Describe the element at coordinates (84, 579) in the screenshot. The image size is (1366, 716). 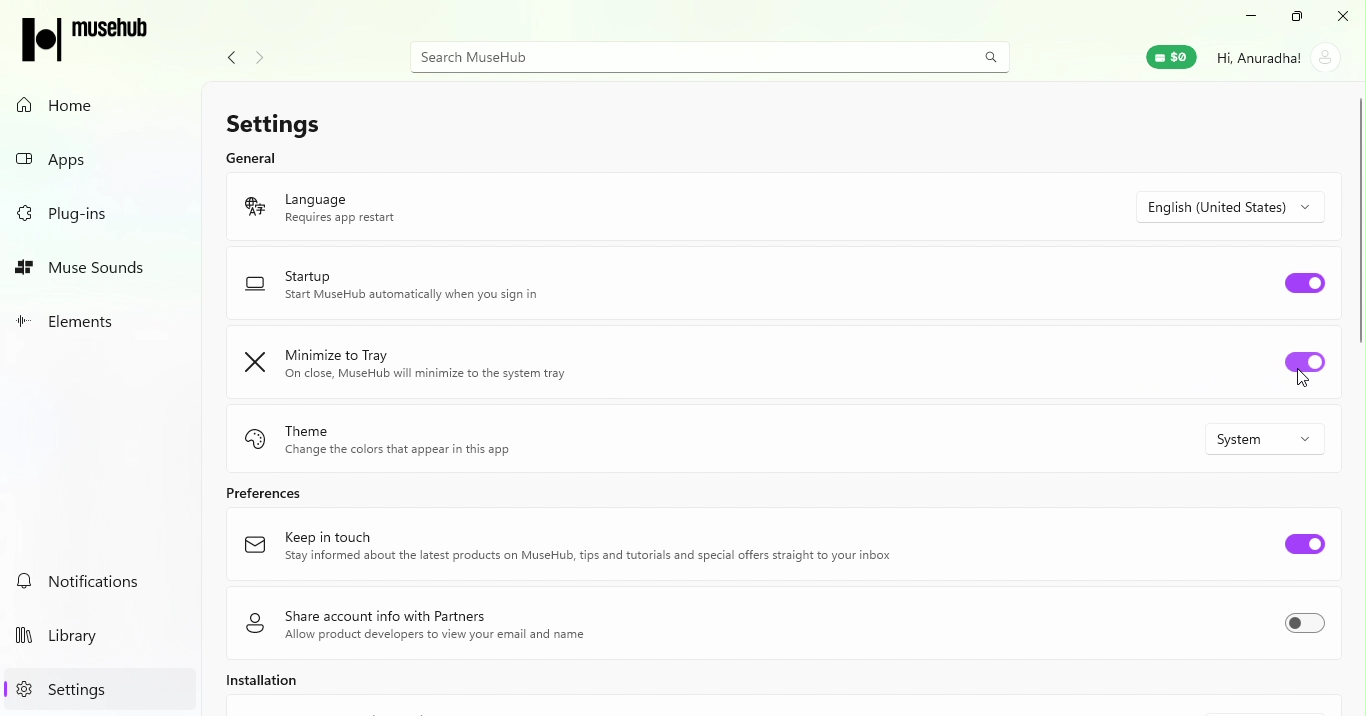
I see `Notifications` at that location.